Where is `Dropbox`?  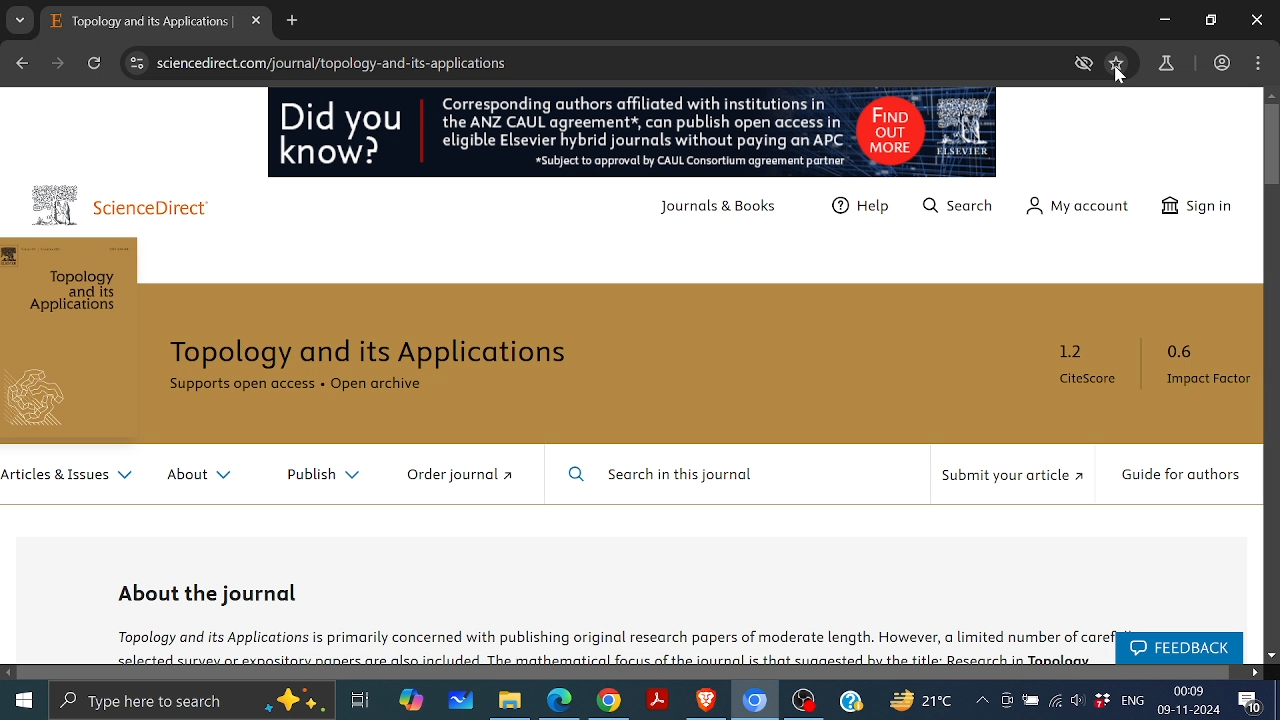 Dropbox is located at coordinates (1101, 699).